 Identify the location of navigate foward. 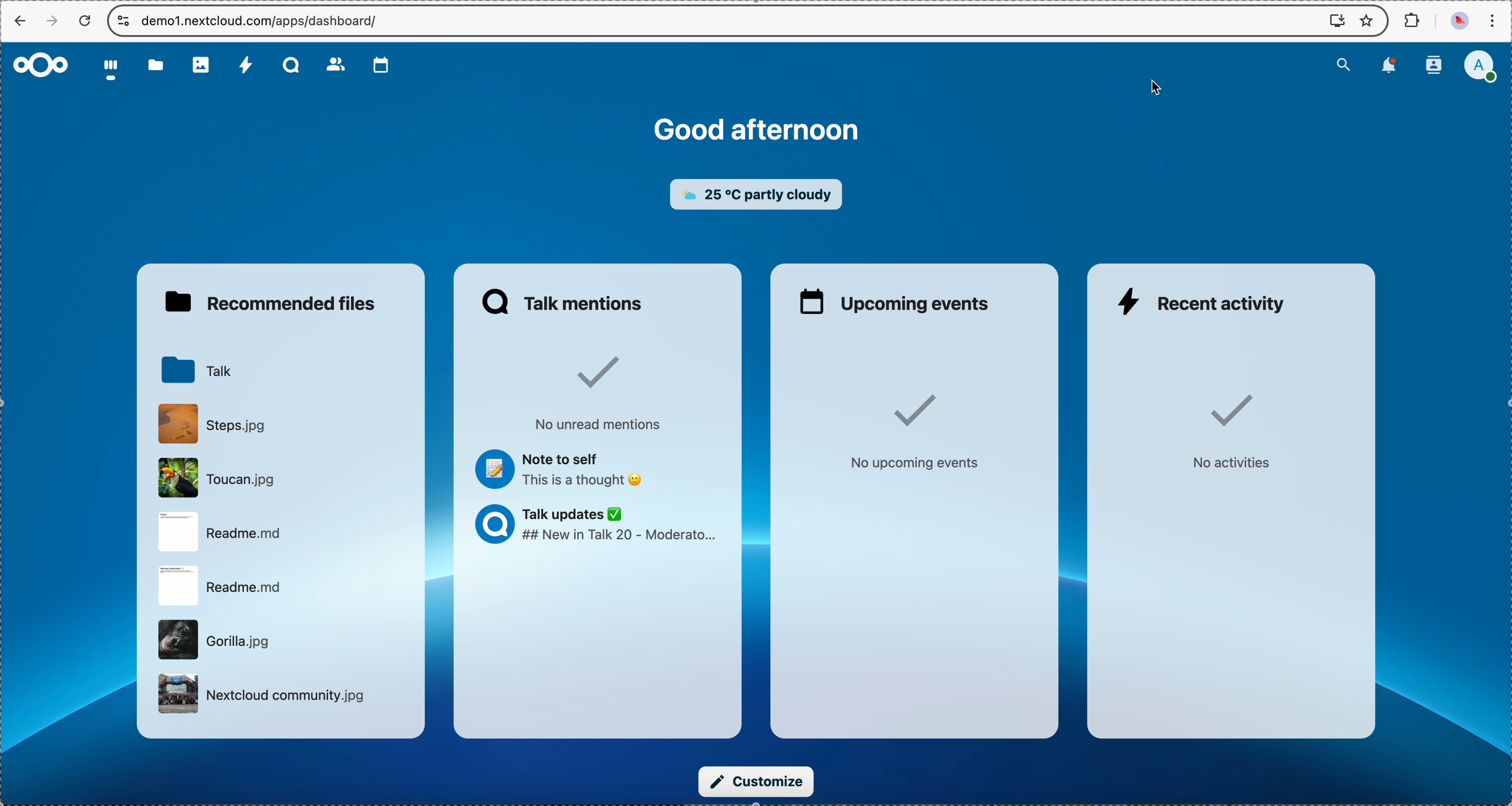
(55, 20).